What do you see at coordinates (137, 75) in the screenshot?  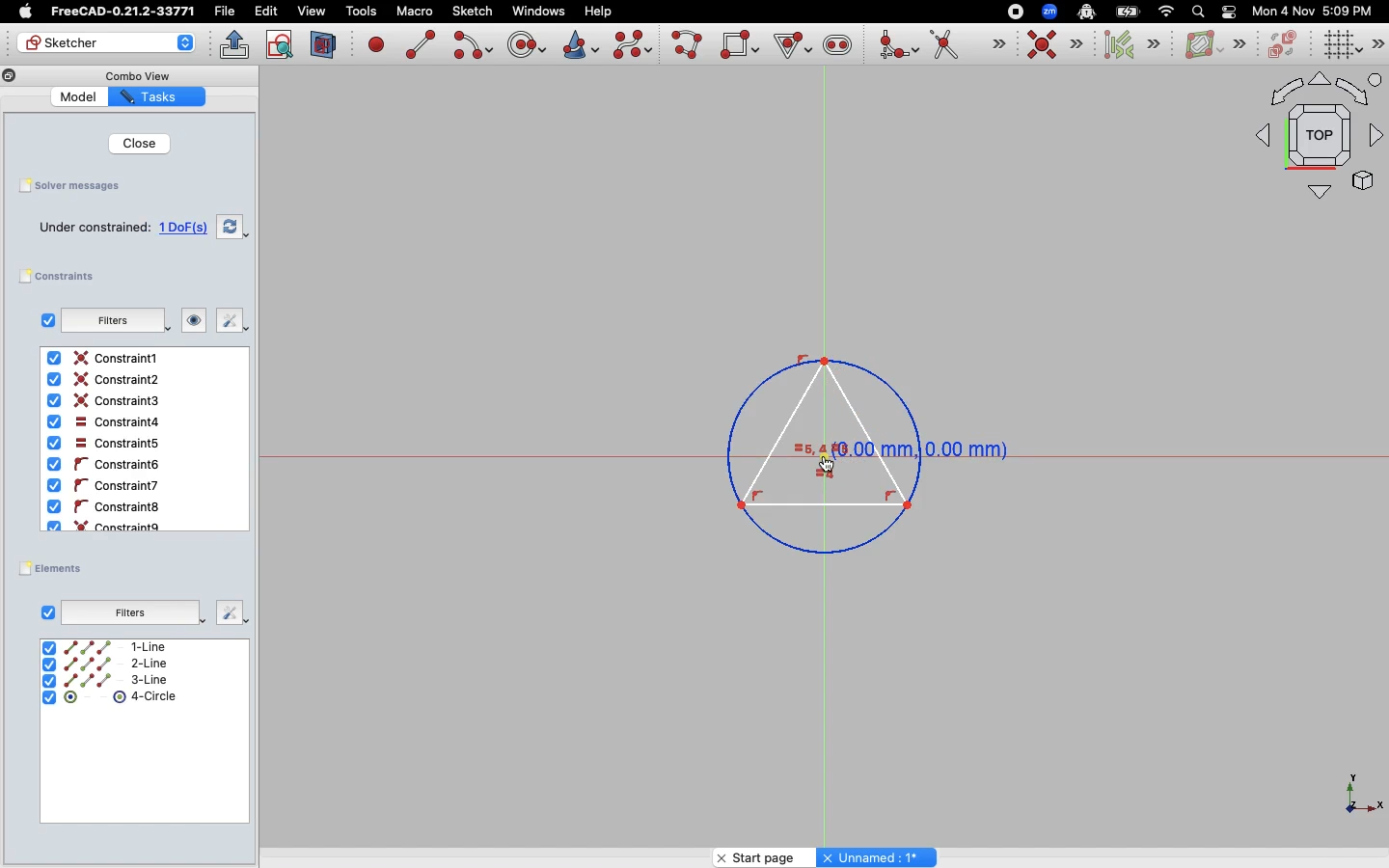 I see `Combo View` at bounding box center [137, 75].